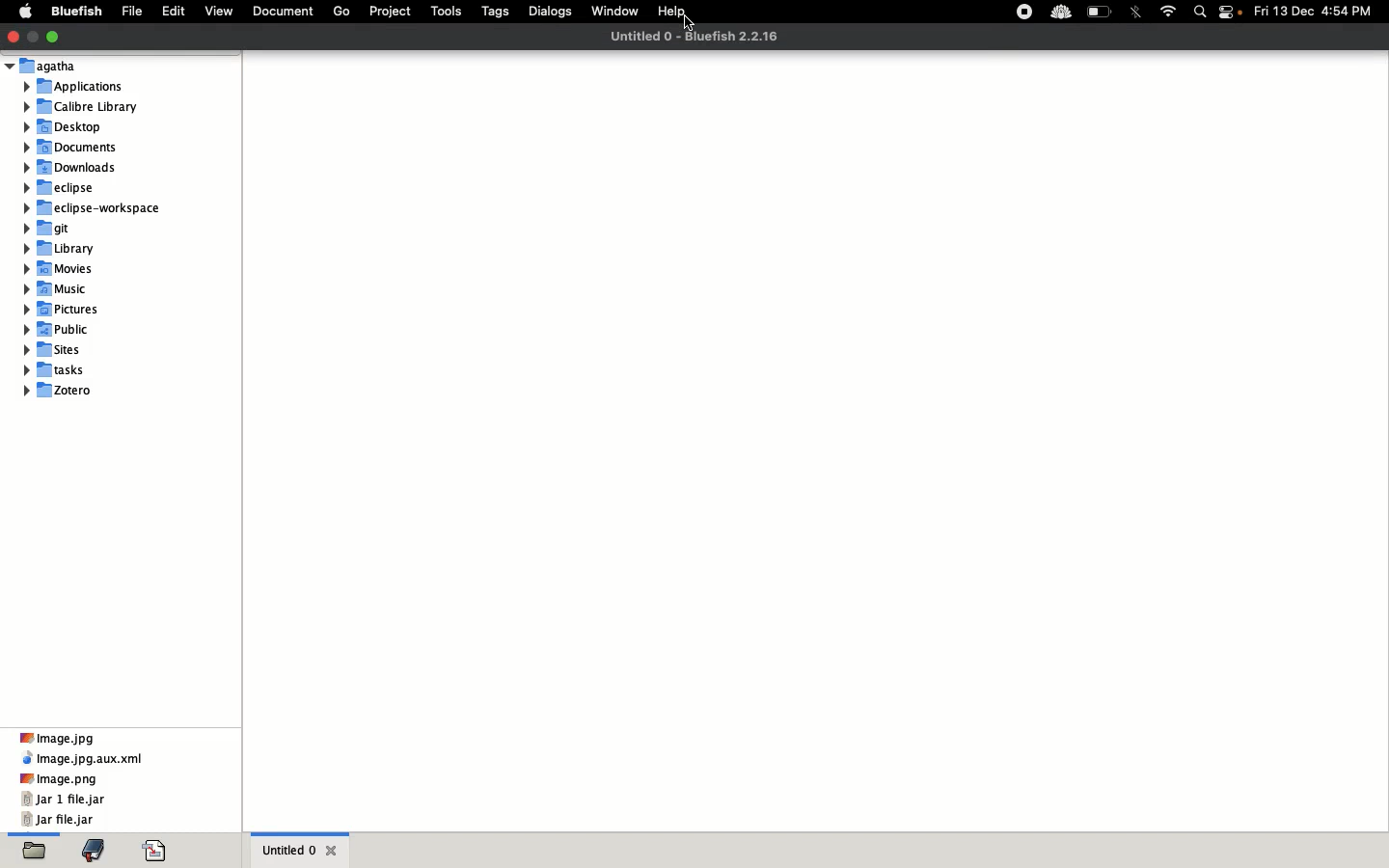  I want to click on music, so click(61, 328).